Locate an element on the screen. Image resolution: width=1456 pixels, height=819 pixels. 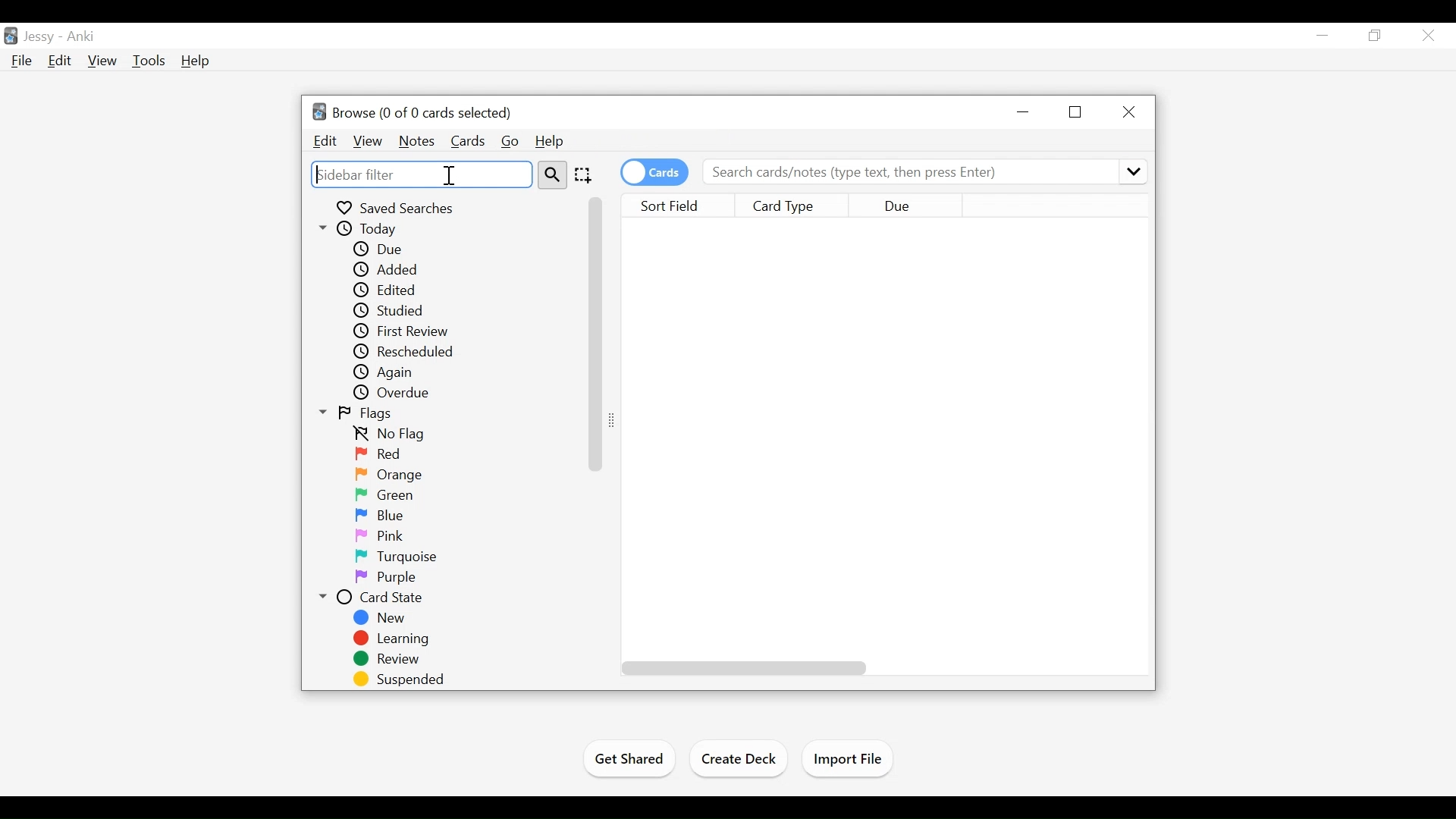
Studied is located at coordinates (388, 310).